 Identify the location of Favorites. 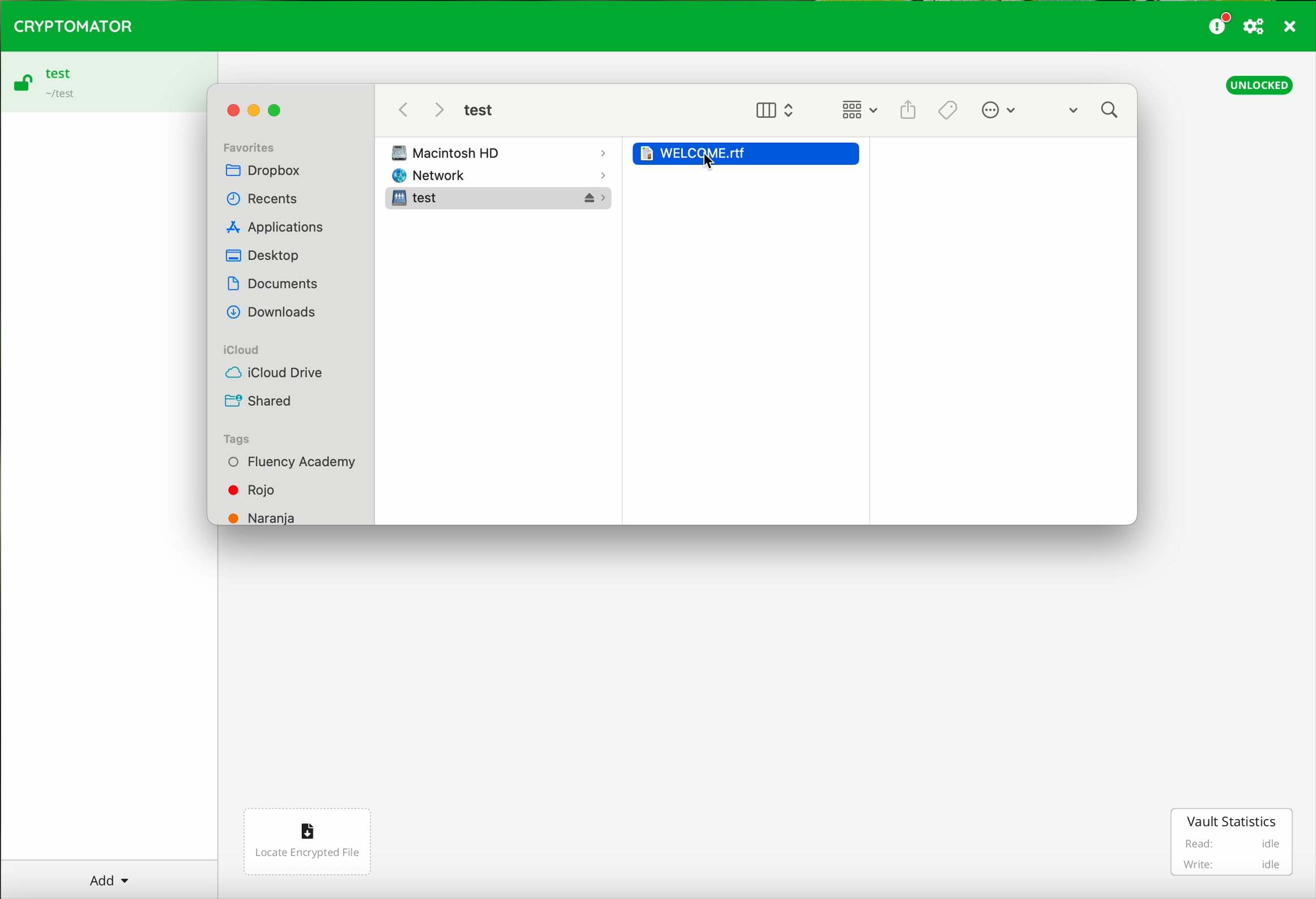
(249, 146).